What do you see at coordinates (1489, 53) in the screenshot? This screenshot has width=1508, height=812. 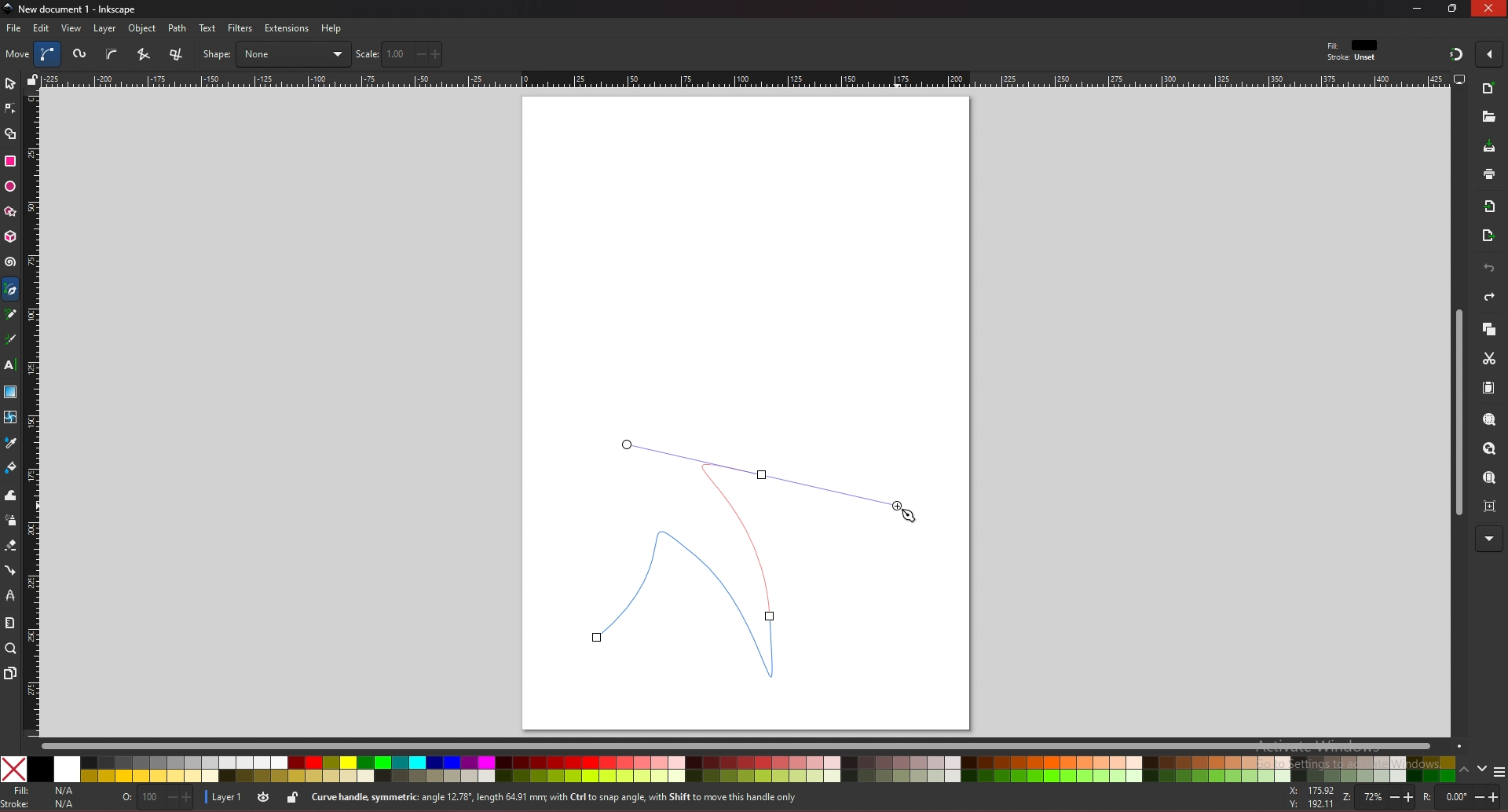 I see `enable snapping` at bounding box center [1489, 53].